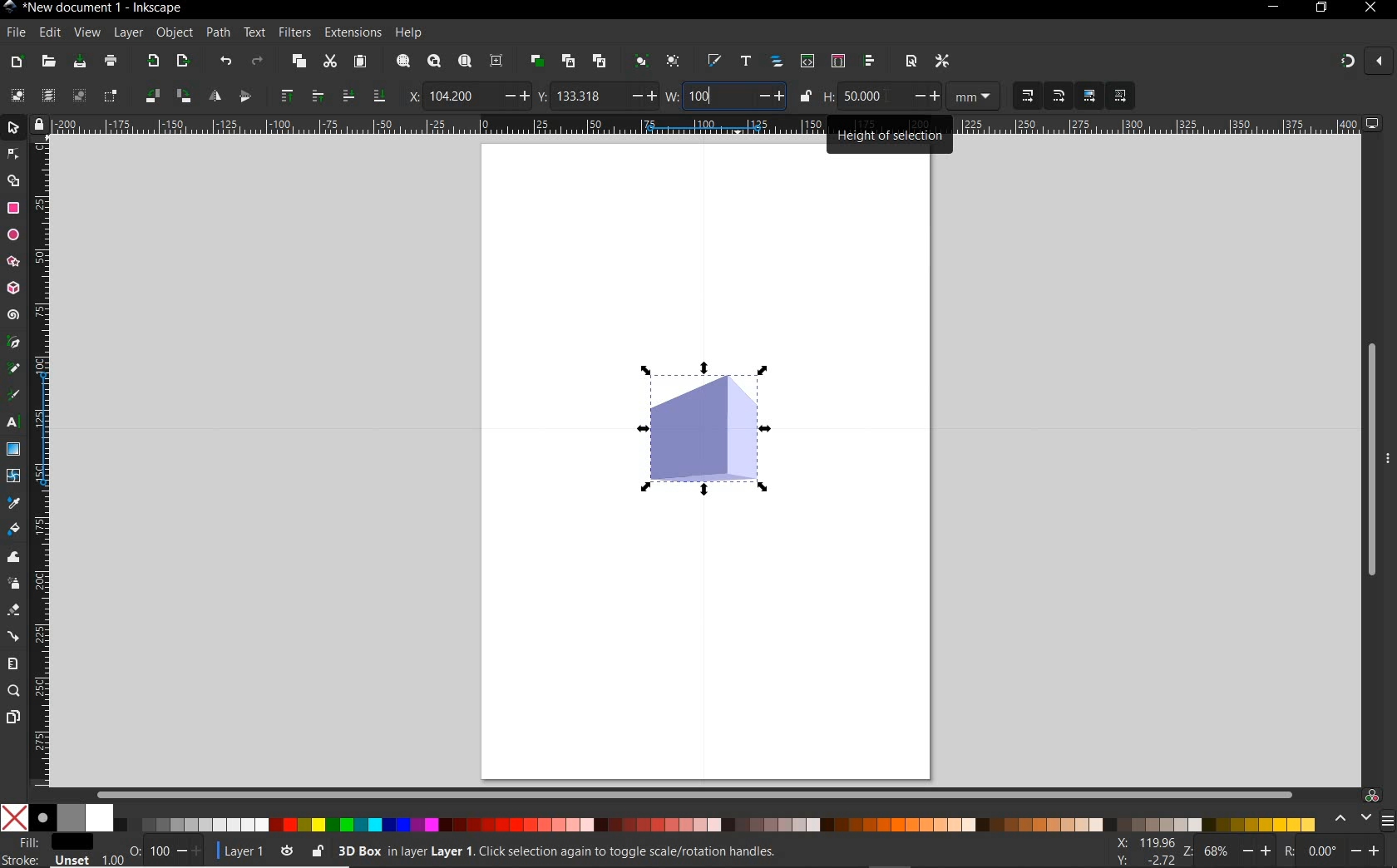 This screenshot has height=868, width=1397. I want to click on spray tool, so click(15, 583).